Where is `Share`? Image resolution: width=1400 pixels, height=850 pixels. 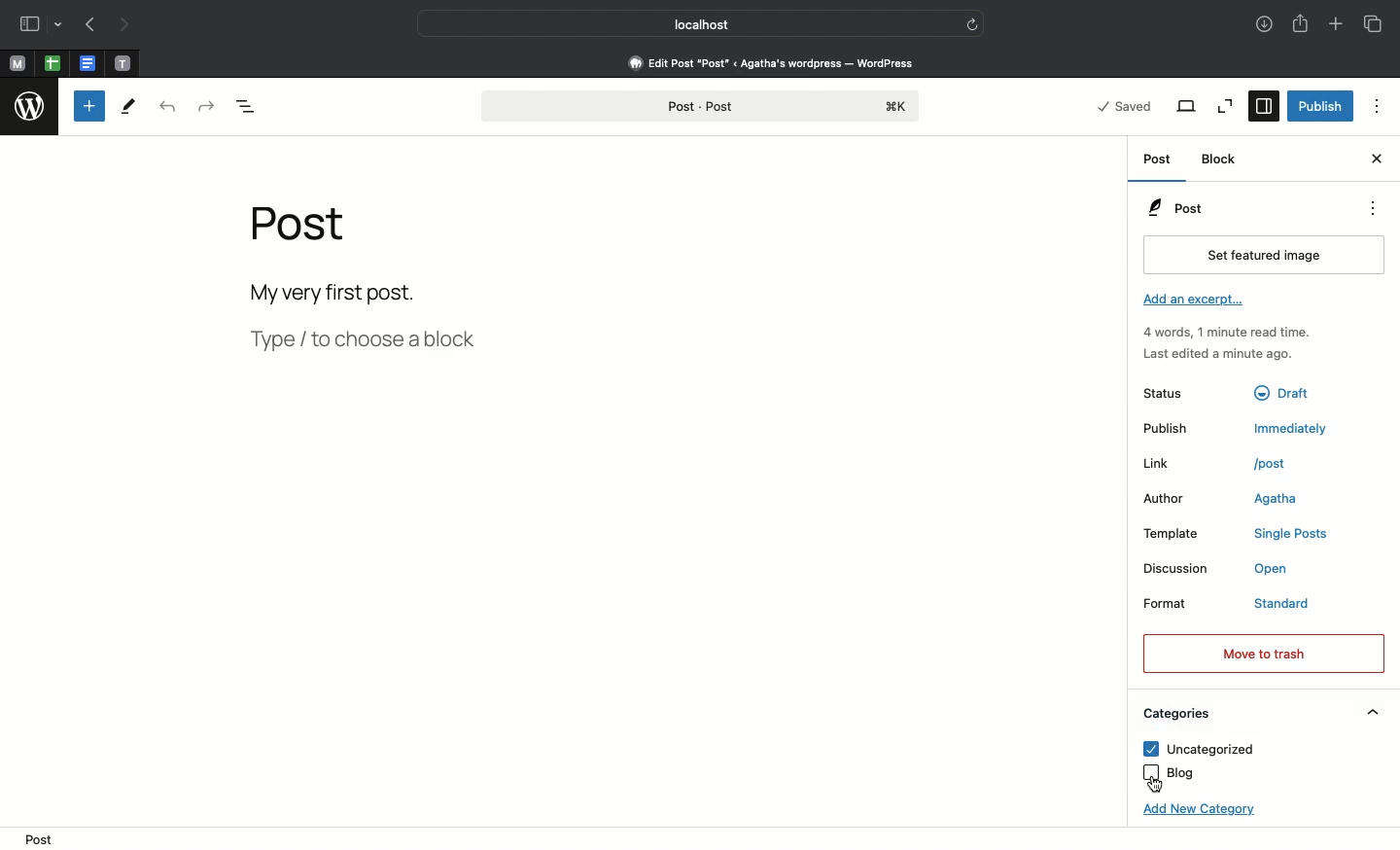 Share is located at coordinates (1300, 25).